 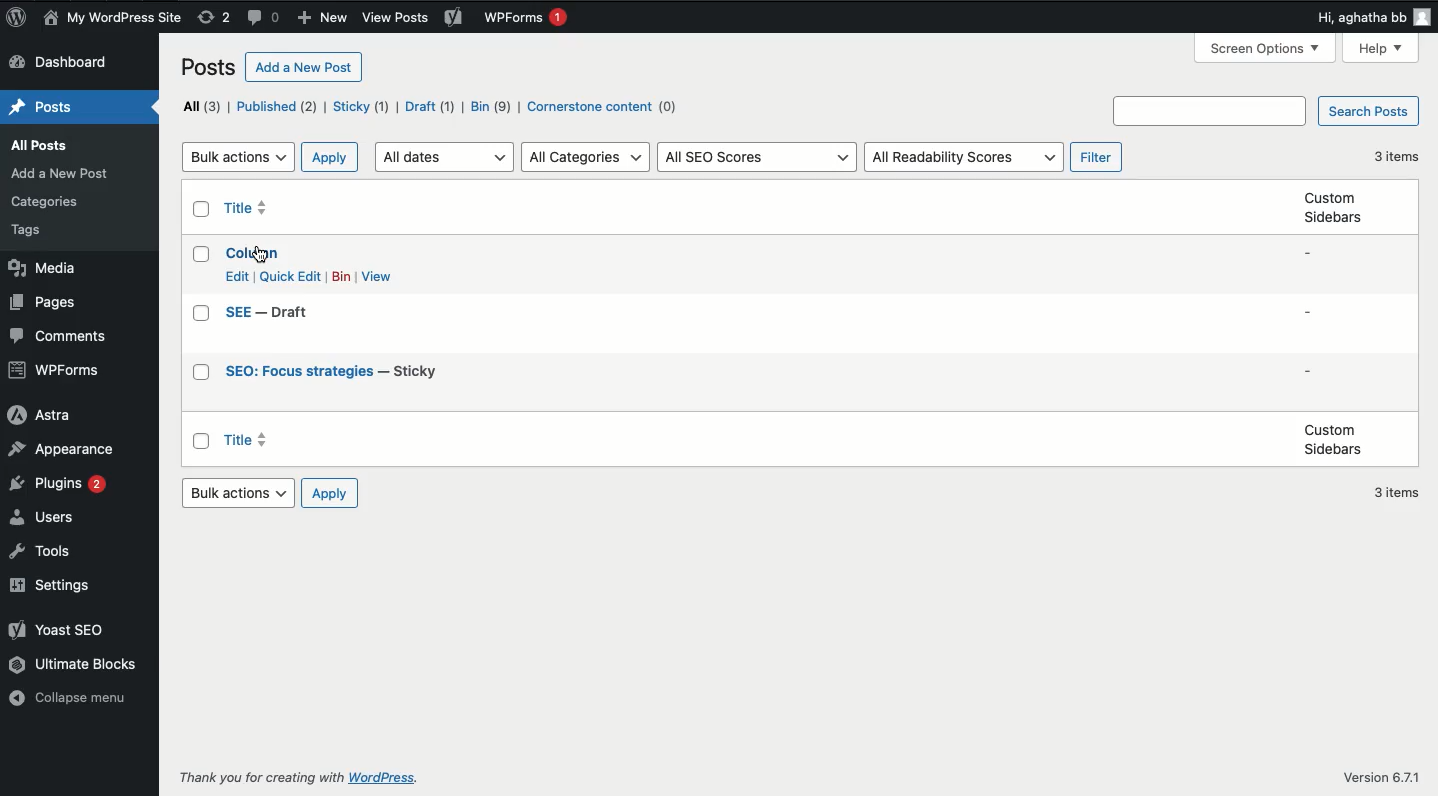 I want to click on Pages, so click(x=48, y=304).